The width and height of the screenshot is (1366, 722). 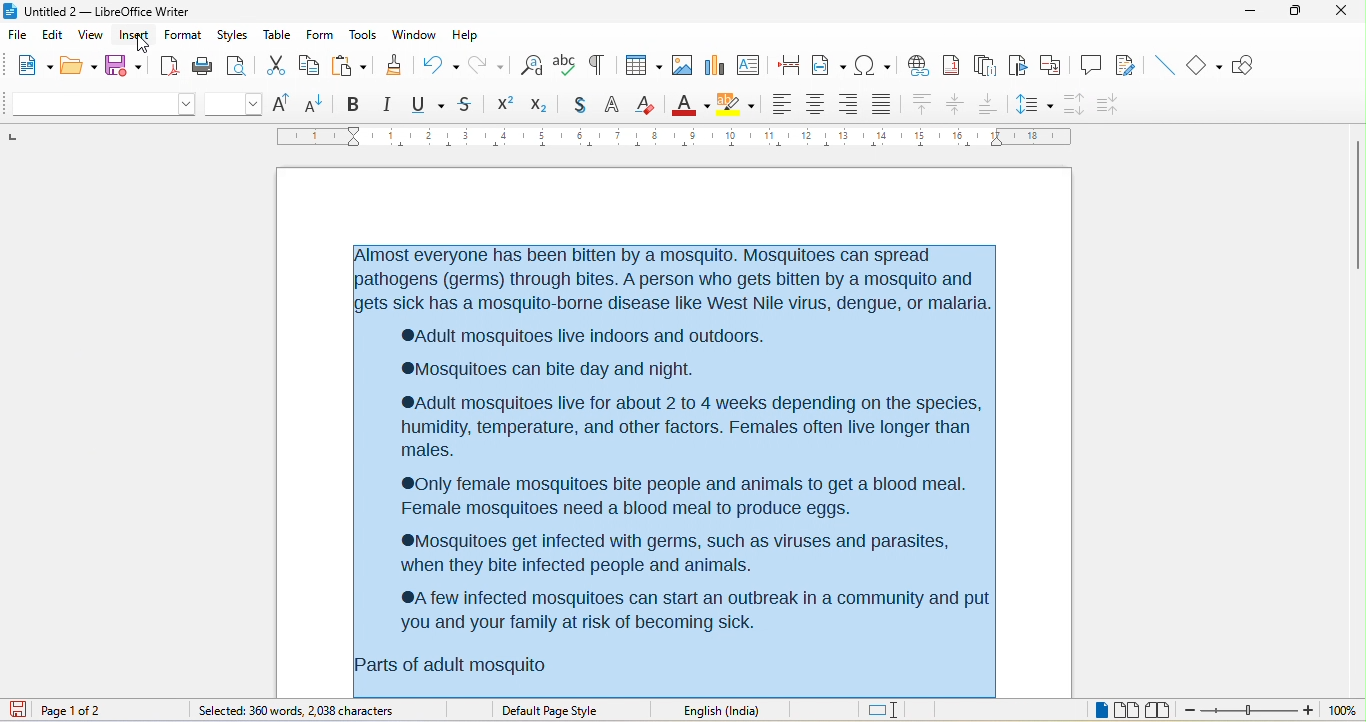 I want to click on align top, so click(x=921, y=105).